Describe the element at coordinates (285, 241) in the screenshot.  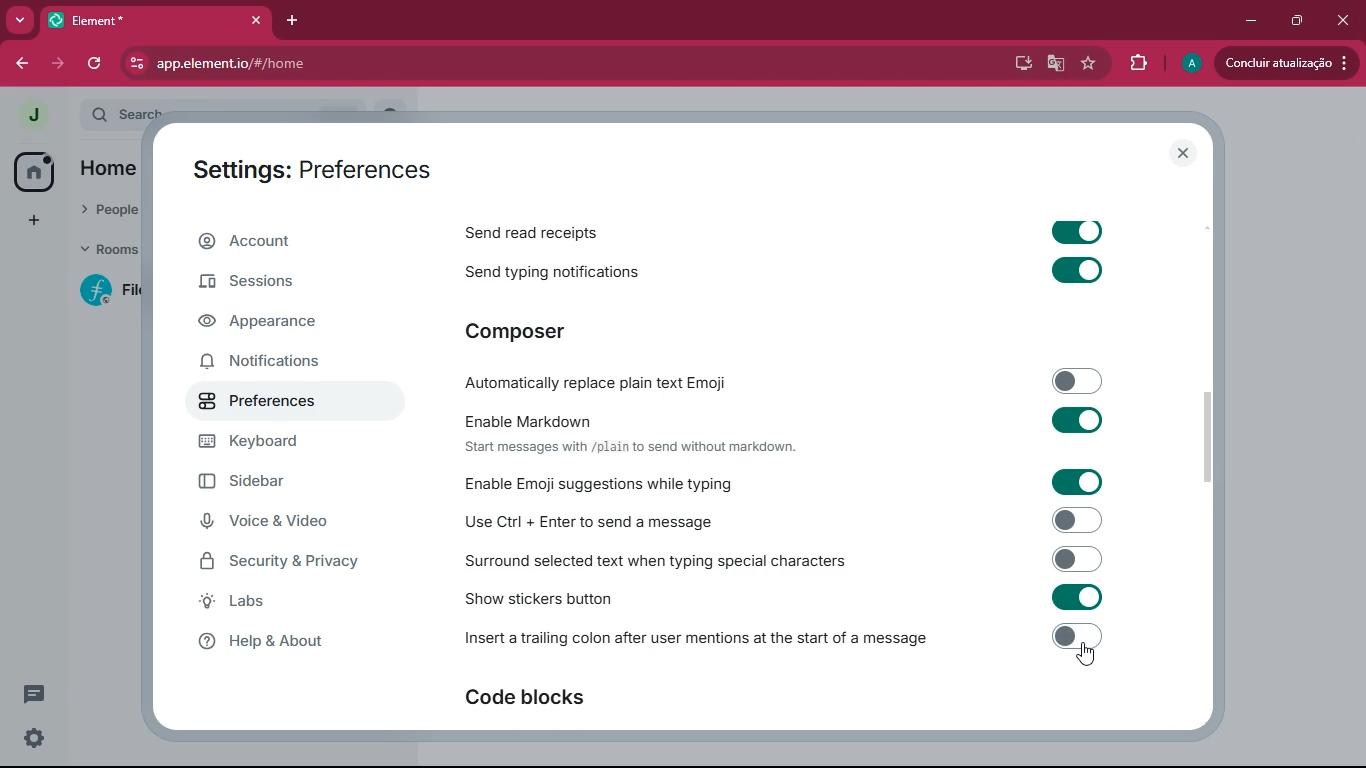
I see `account` at that location.